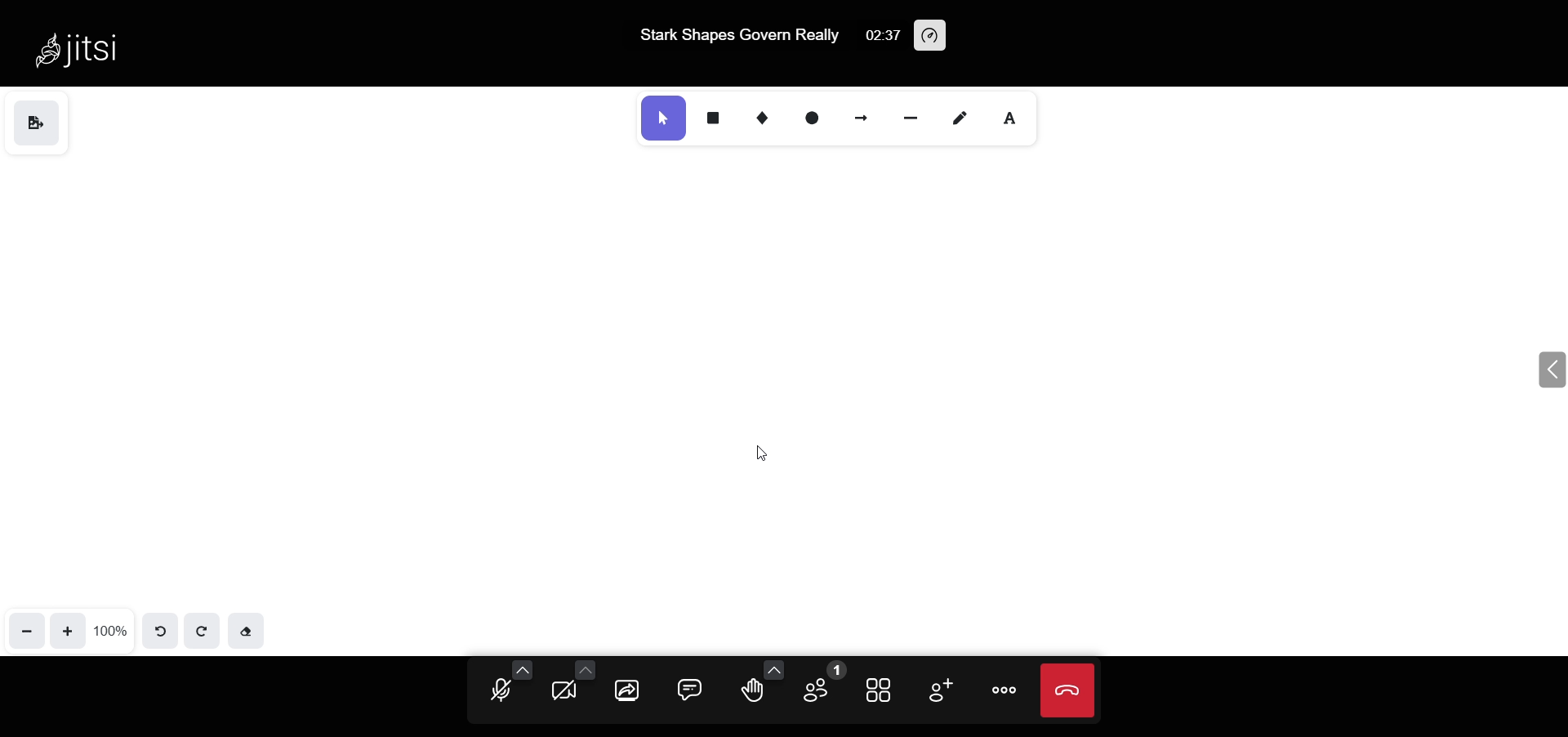 The height and width of the screenshot is (737, 1568). I want to click on tile view, so click(881, 688).